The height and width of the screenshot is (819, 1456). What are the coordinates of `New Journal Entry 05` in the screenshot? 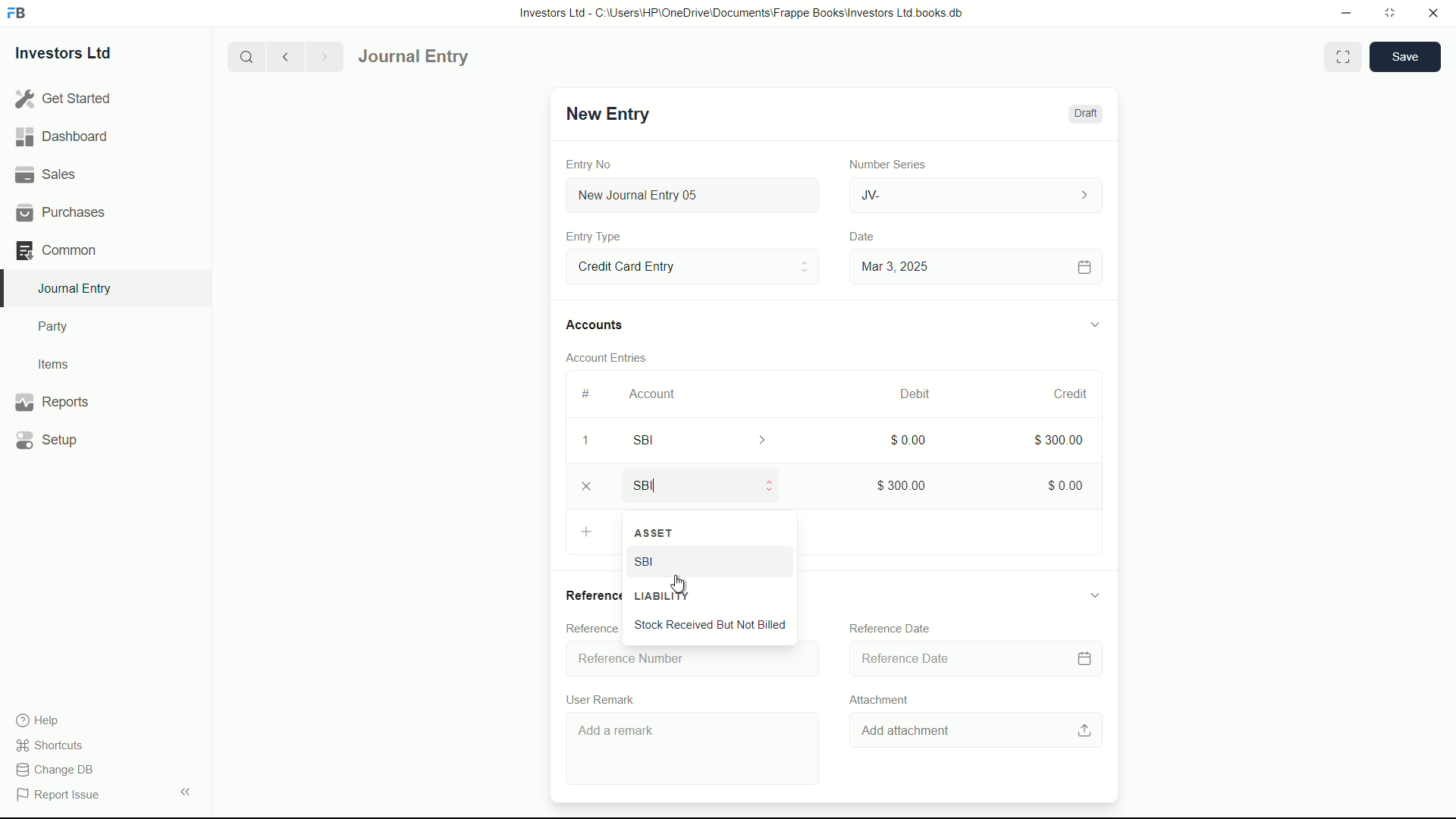 It's located at (695, 196).